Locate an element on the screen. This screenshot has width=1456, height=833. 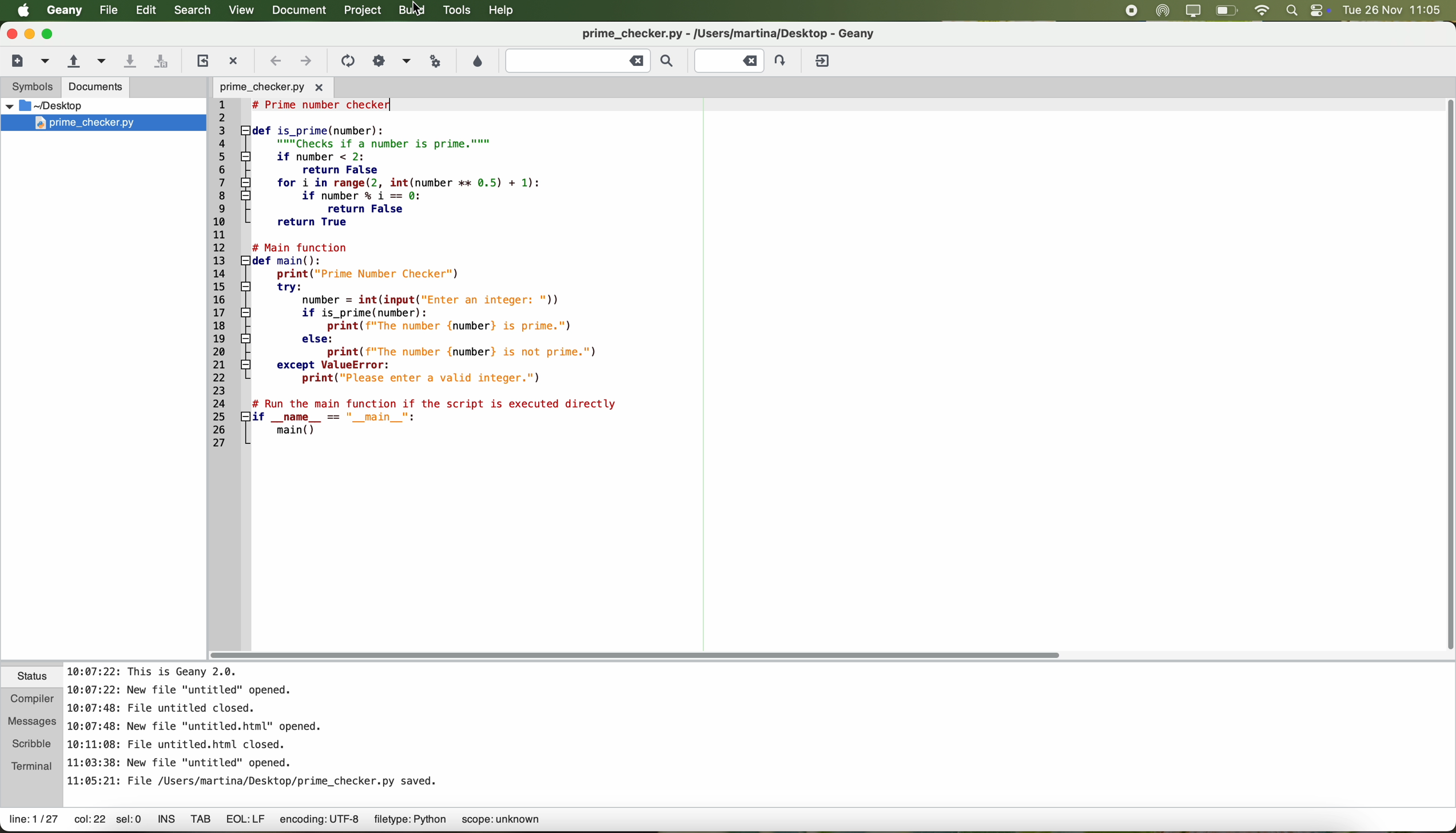
option is located at coordinates (406, 60).